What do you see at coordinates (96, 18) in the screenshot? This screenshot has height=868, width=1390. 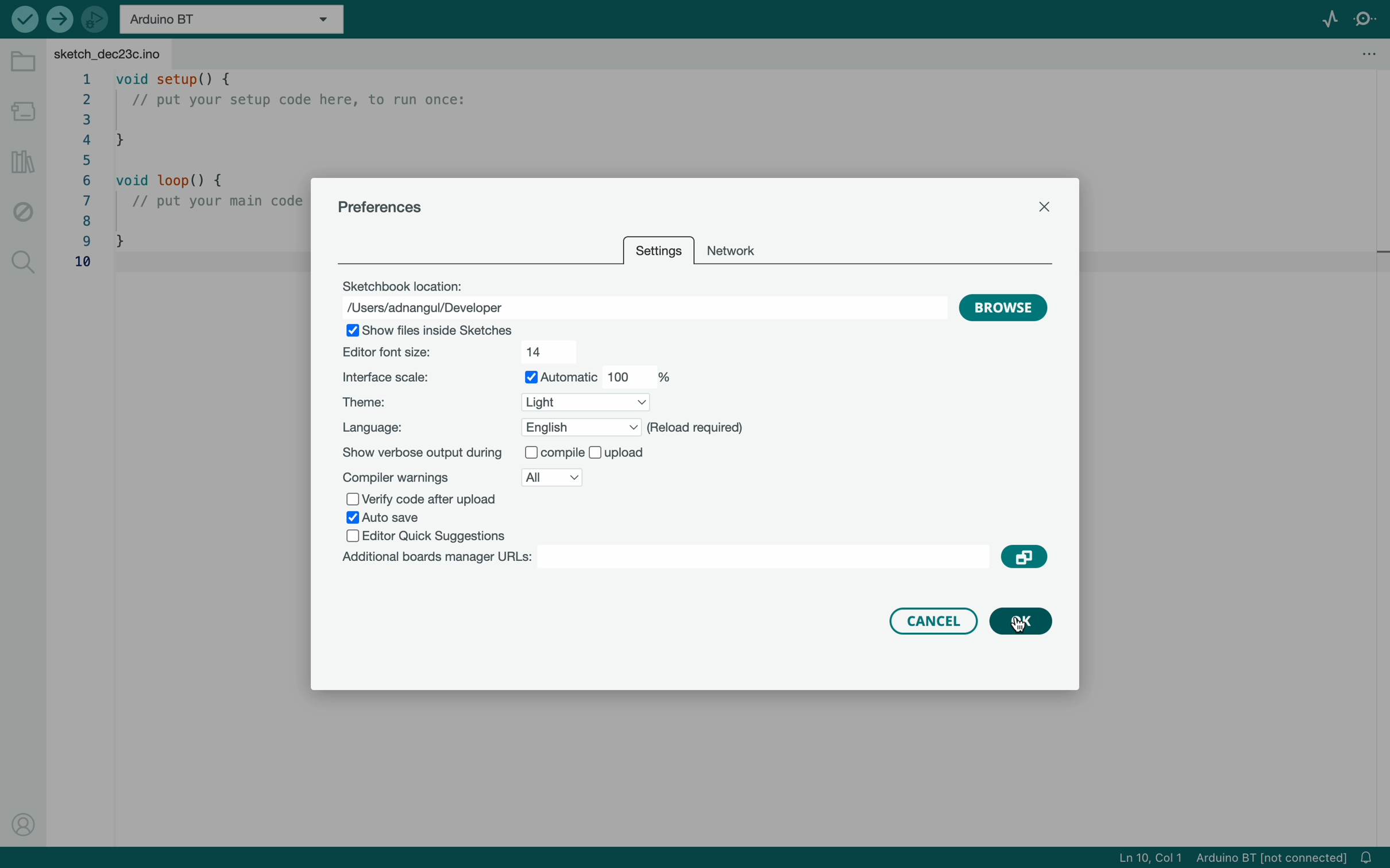 I see `debugger` at bounding box center [96, 18].